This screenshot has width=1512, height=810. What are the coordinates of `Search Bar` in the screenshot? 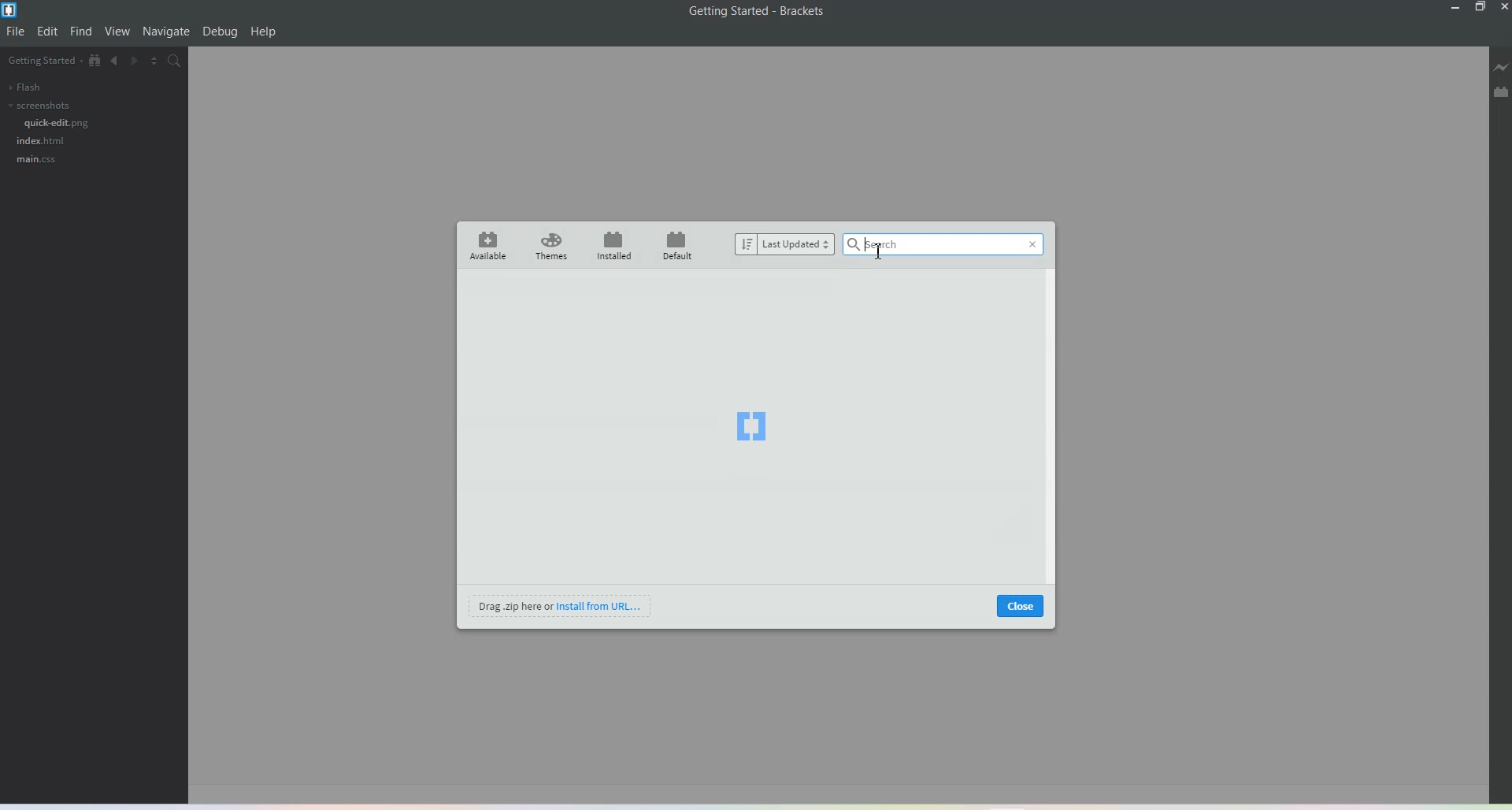 It's located at (928, 246).